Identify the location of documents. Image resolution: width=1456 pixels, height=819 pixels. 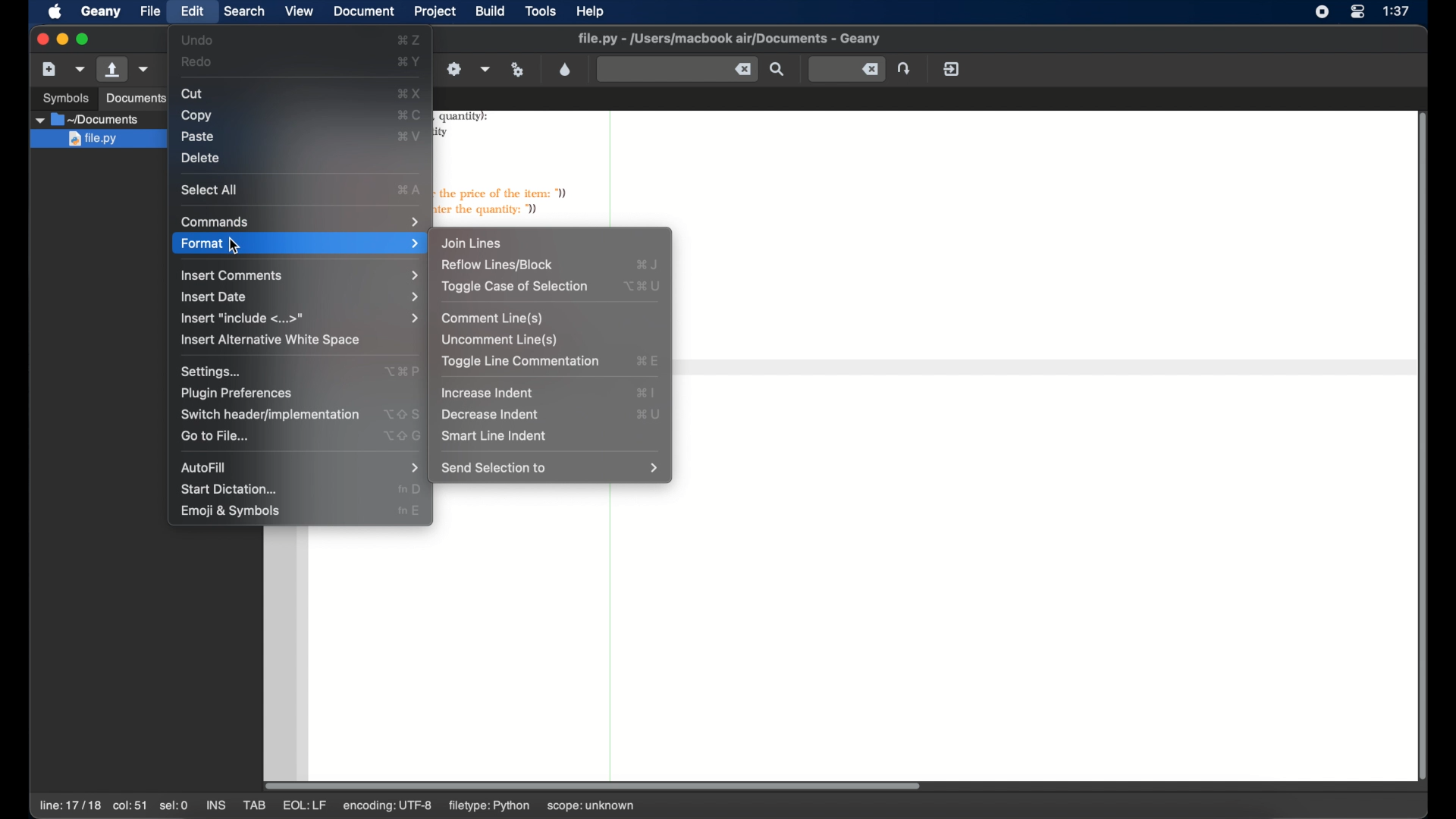
(89, 120).